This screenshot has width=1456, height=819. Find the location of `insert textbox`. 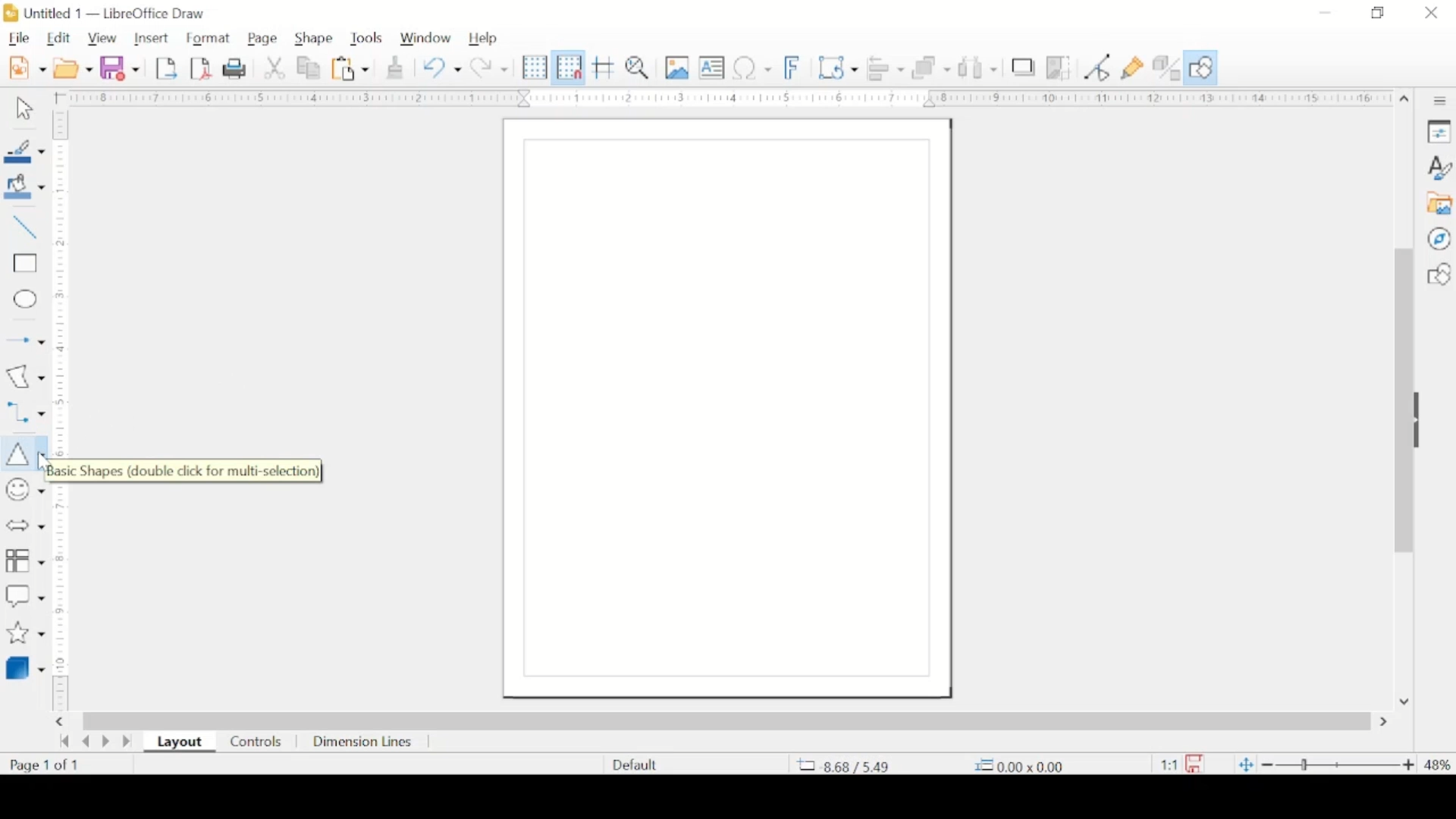

insert textbox is located at coordinates (711, 67).